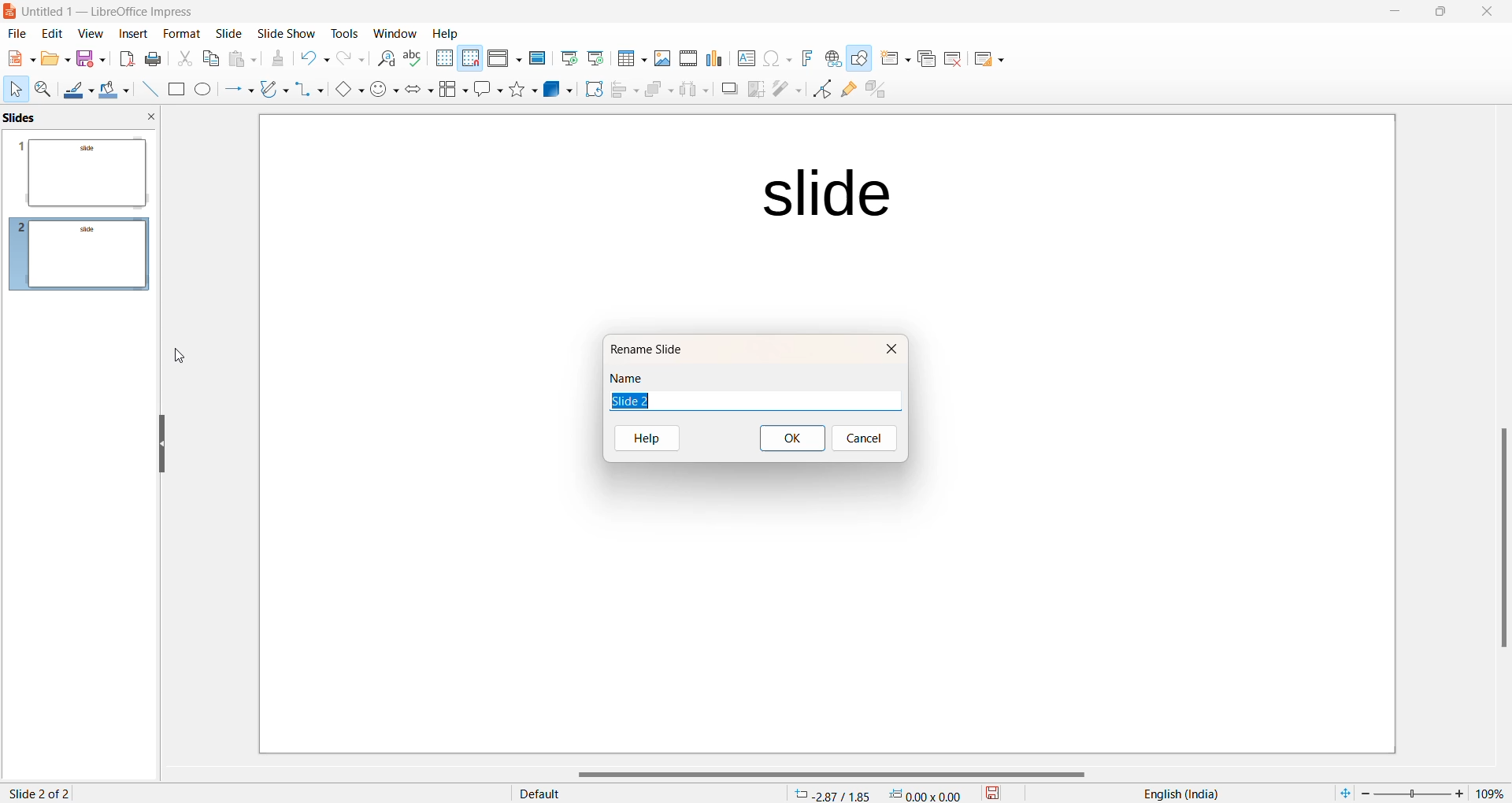  What do you see at coordinates (892, 60) in the screenshot?
I see `New slide` at bounding box center [892, 60].